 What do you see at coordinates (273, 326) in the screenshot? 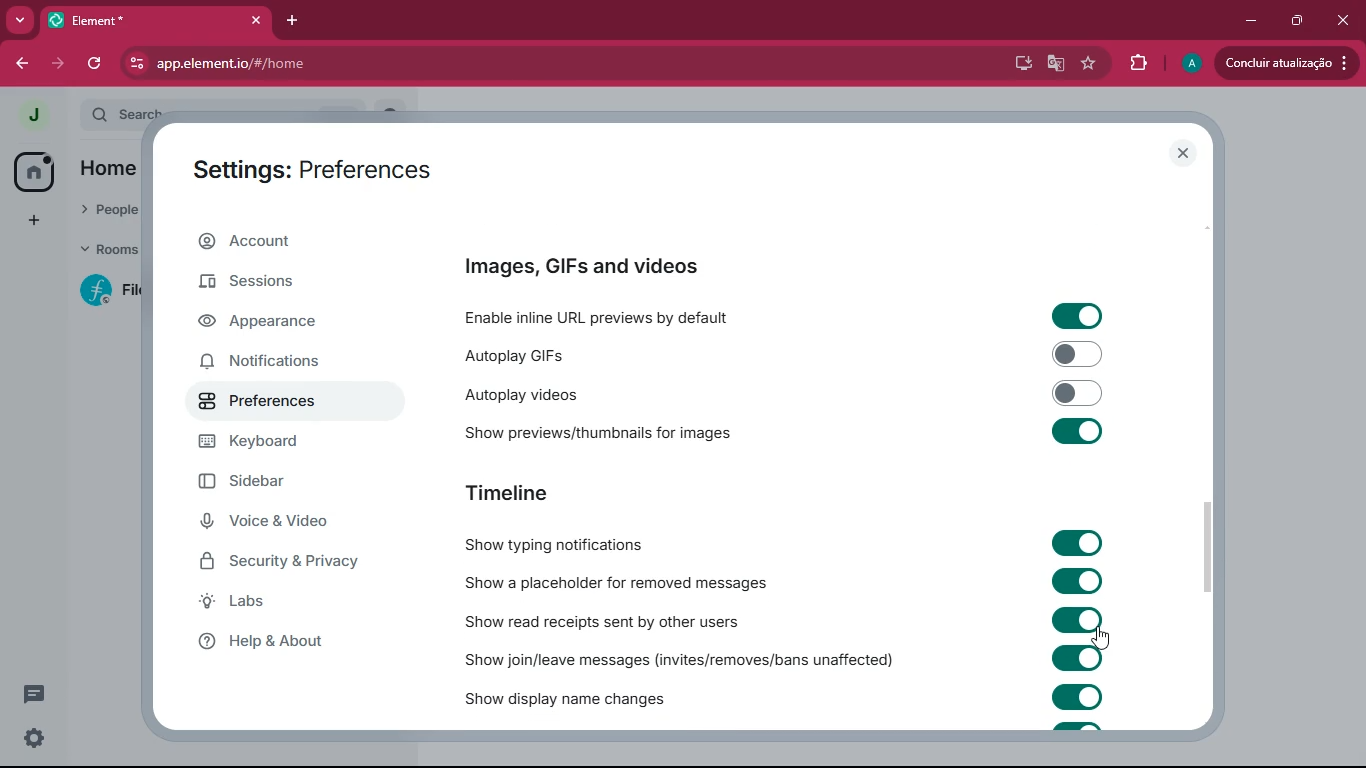
I see `appearance` at bounding box center [273, 326].